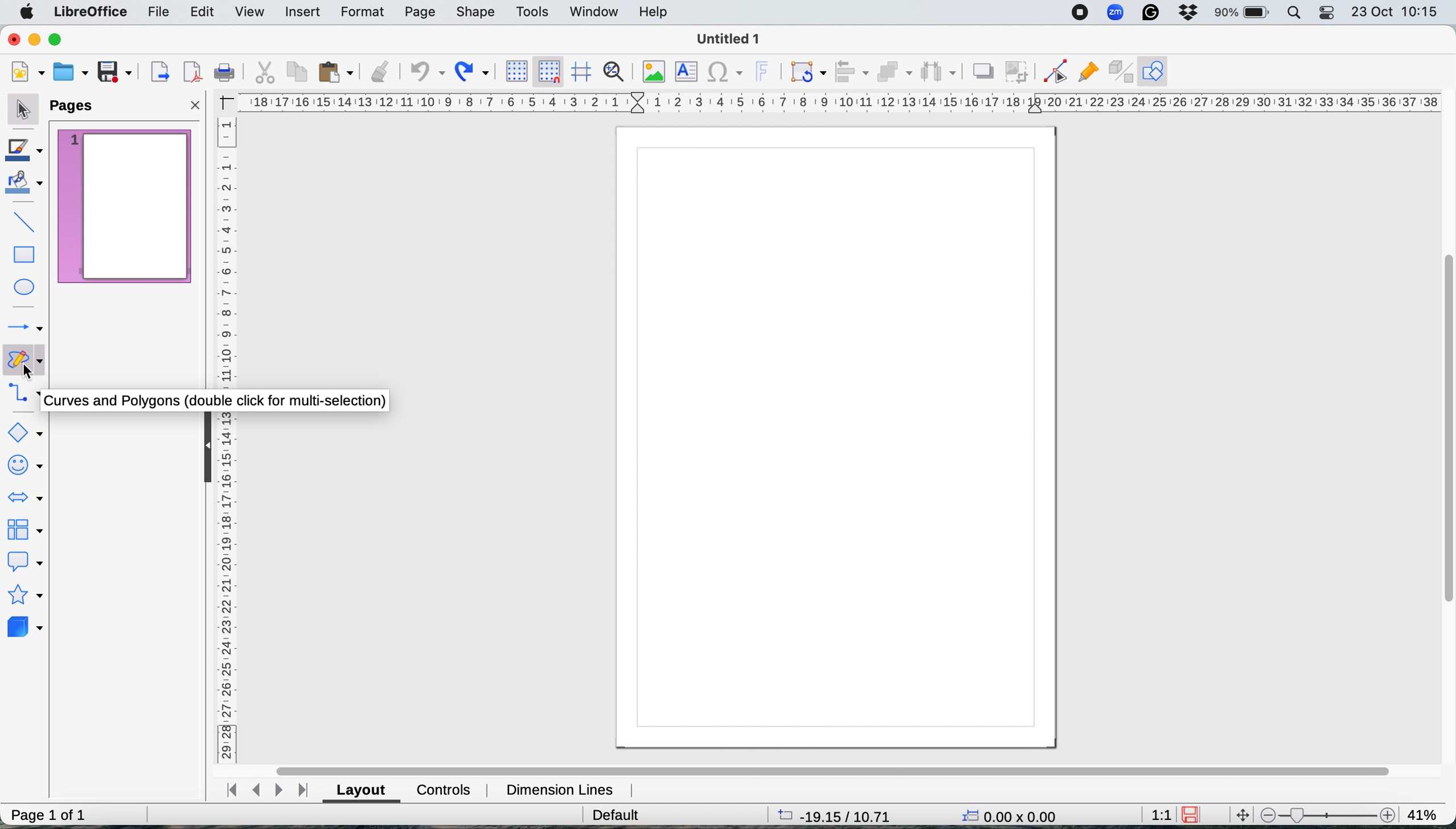  I want to click on close, so click(14, 39).